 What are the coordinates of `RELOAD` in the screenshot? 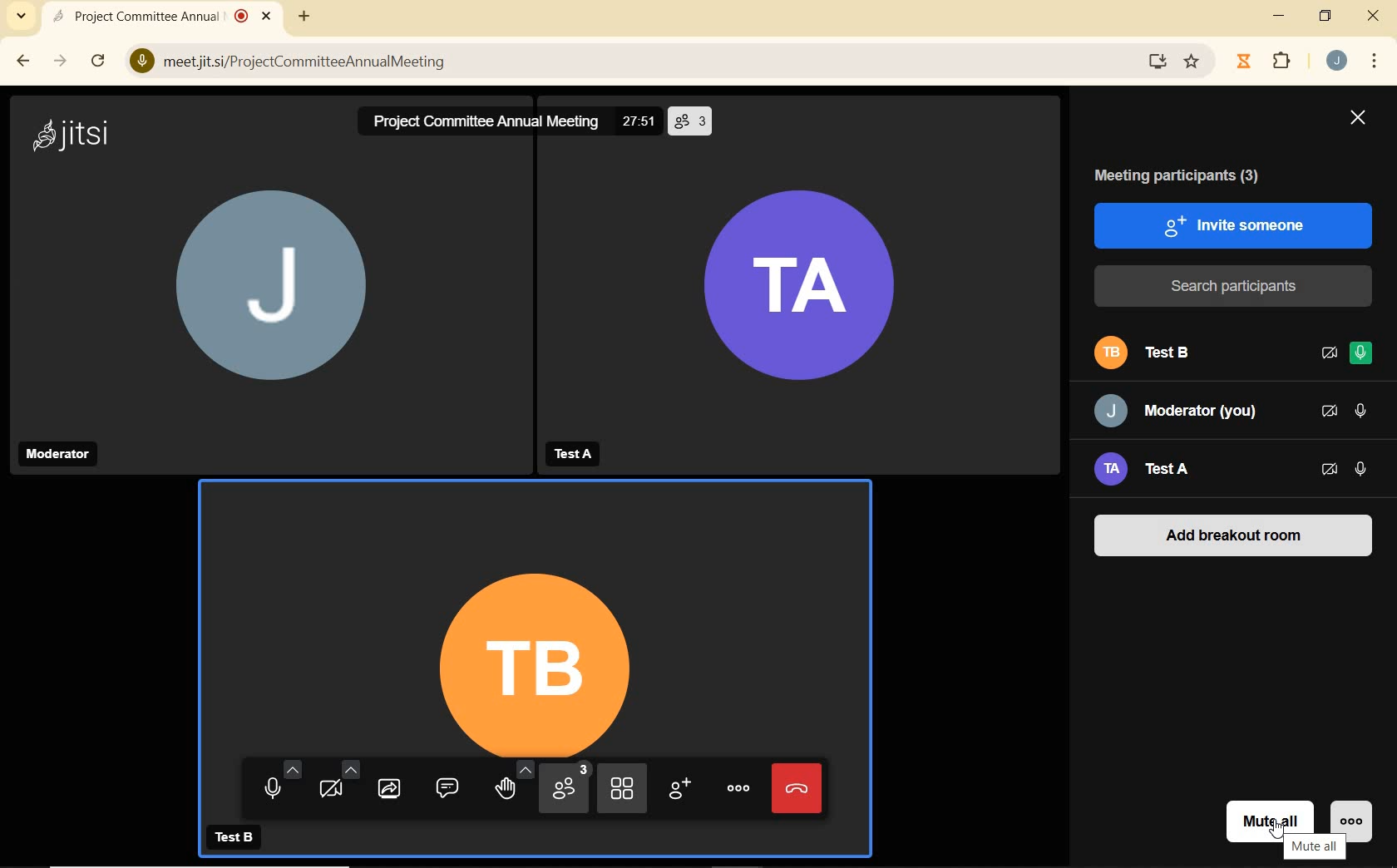 It's located at (97, 62).